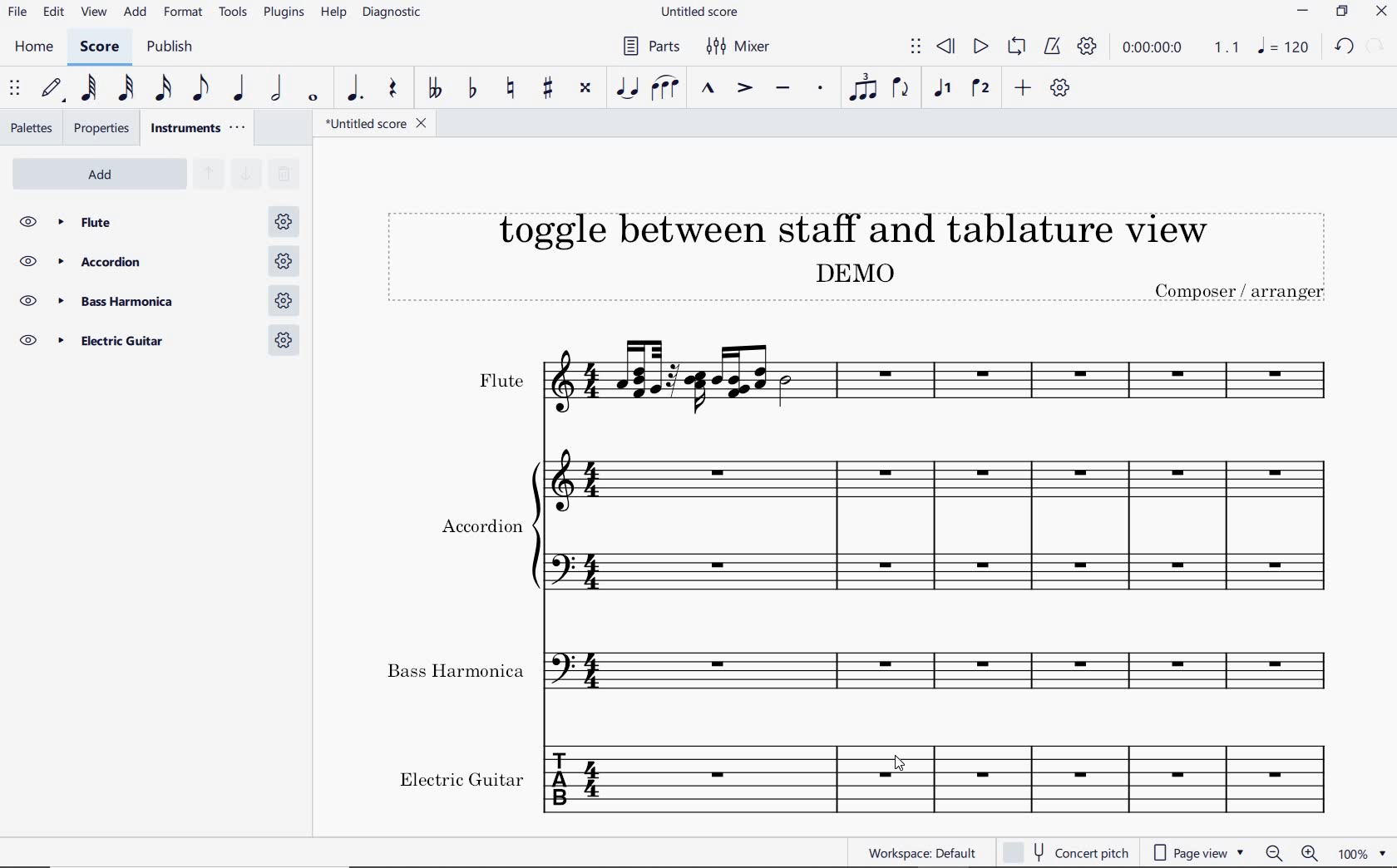  I want to click on cursor, so click(896, 764).